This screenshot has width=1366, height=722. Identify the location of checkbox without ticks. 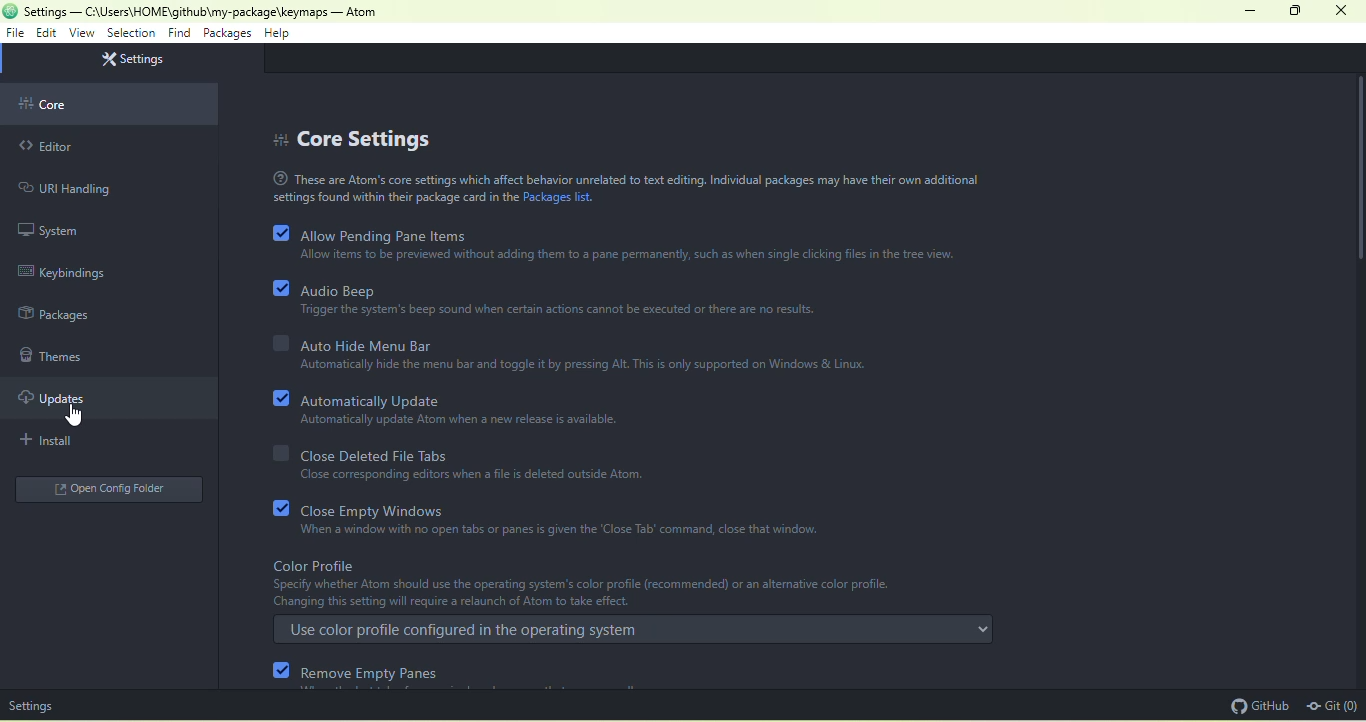
(282, 452).